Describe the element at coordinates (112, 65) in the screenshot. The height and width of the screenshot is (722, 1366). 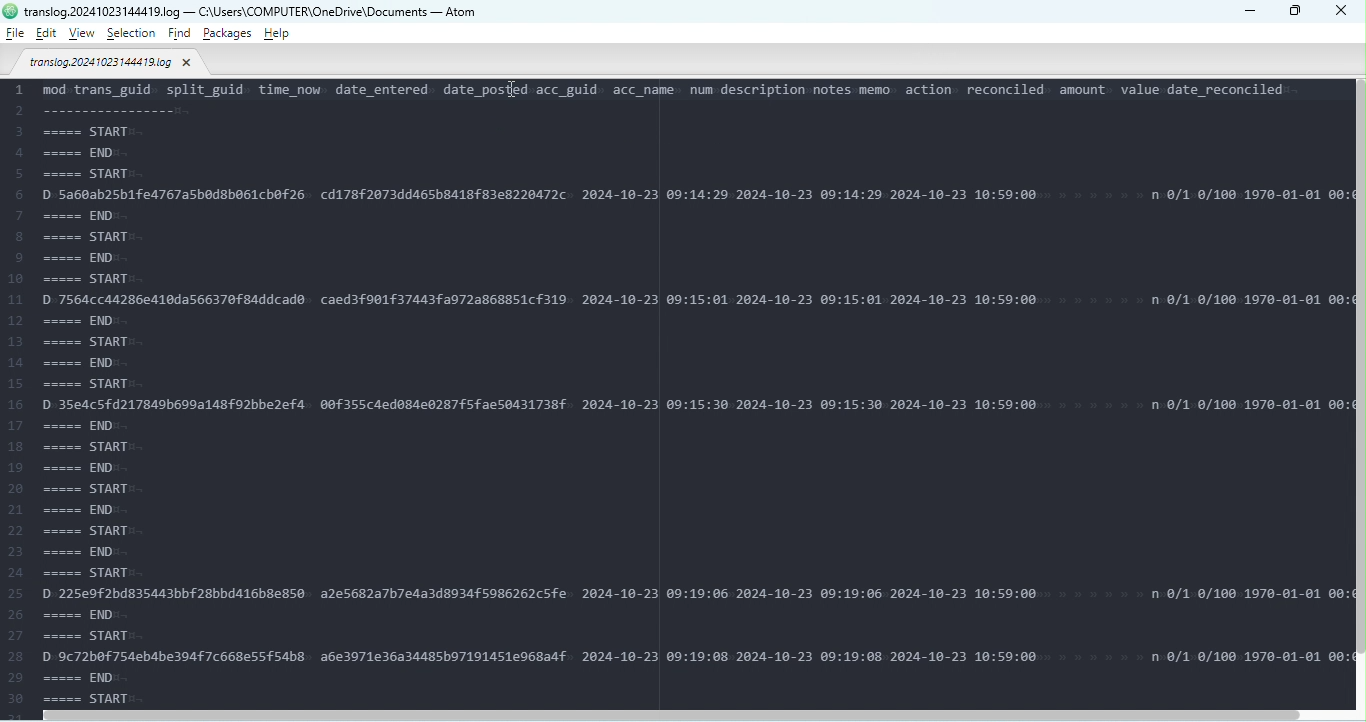
I see `File ` at that location.